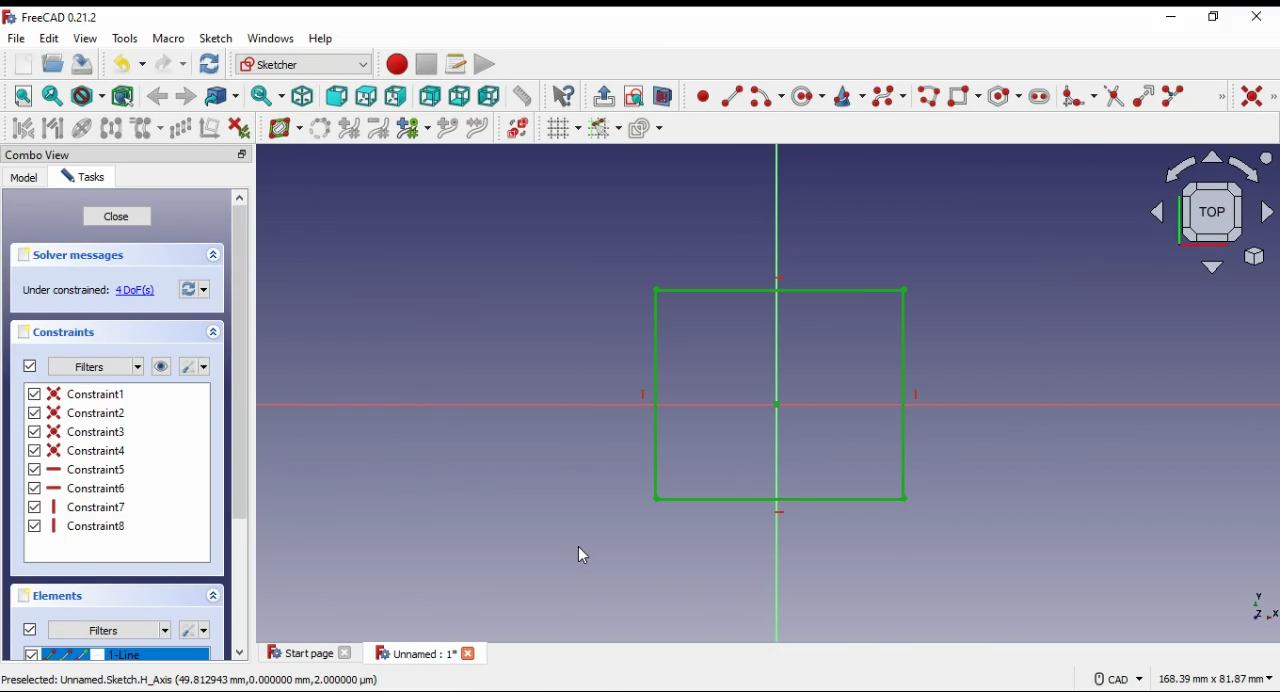 This screenshot has width=1280, height=692. Describe the element at coordinates (91, 449) in the screenshot. I see `on/off constraint 4` at that location.